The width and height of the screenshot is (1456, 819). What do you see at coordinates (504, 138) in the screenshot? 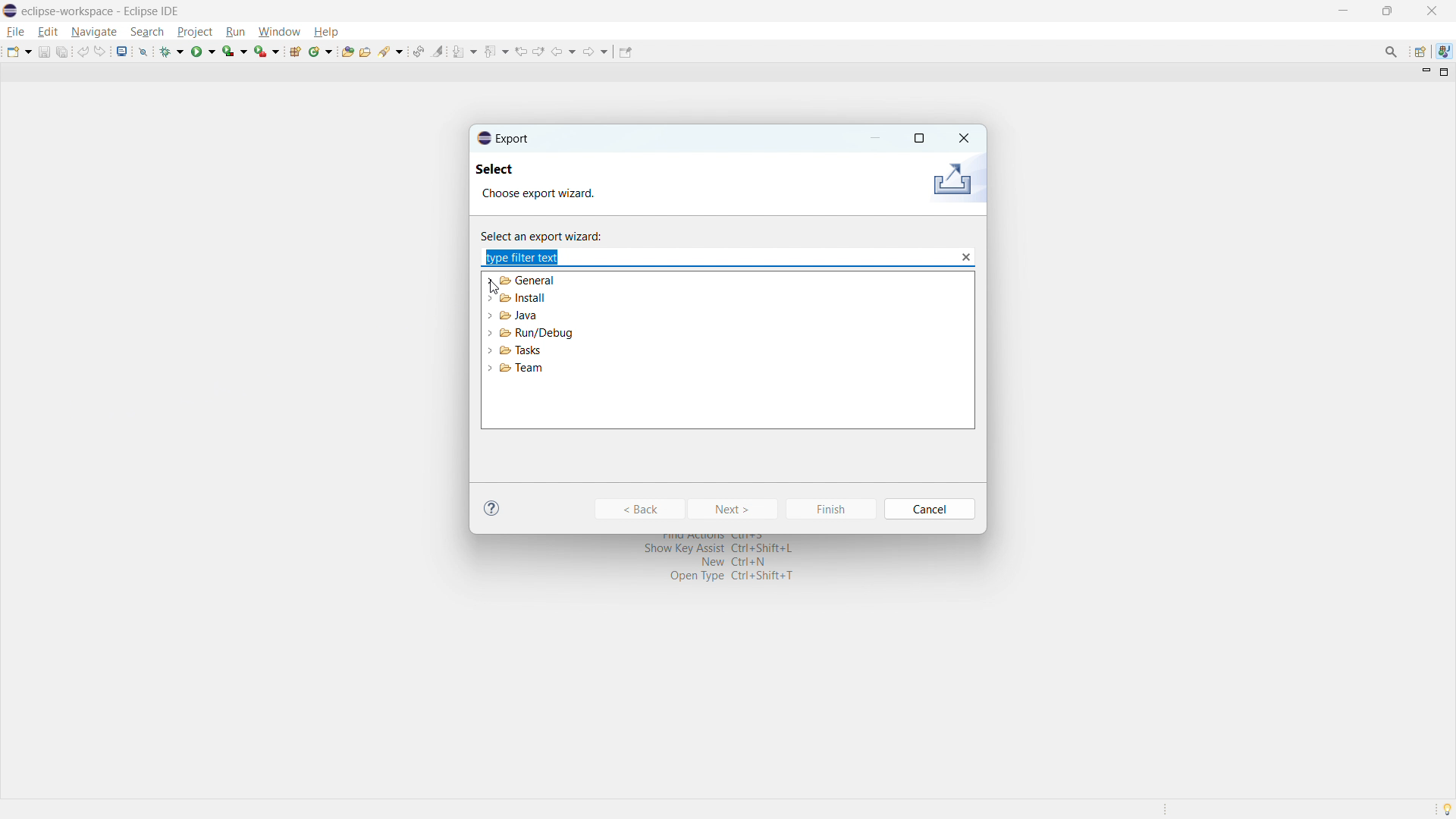
I see `export dialogbox` at bounding box center [504, 138].